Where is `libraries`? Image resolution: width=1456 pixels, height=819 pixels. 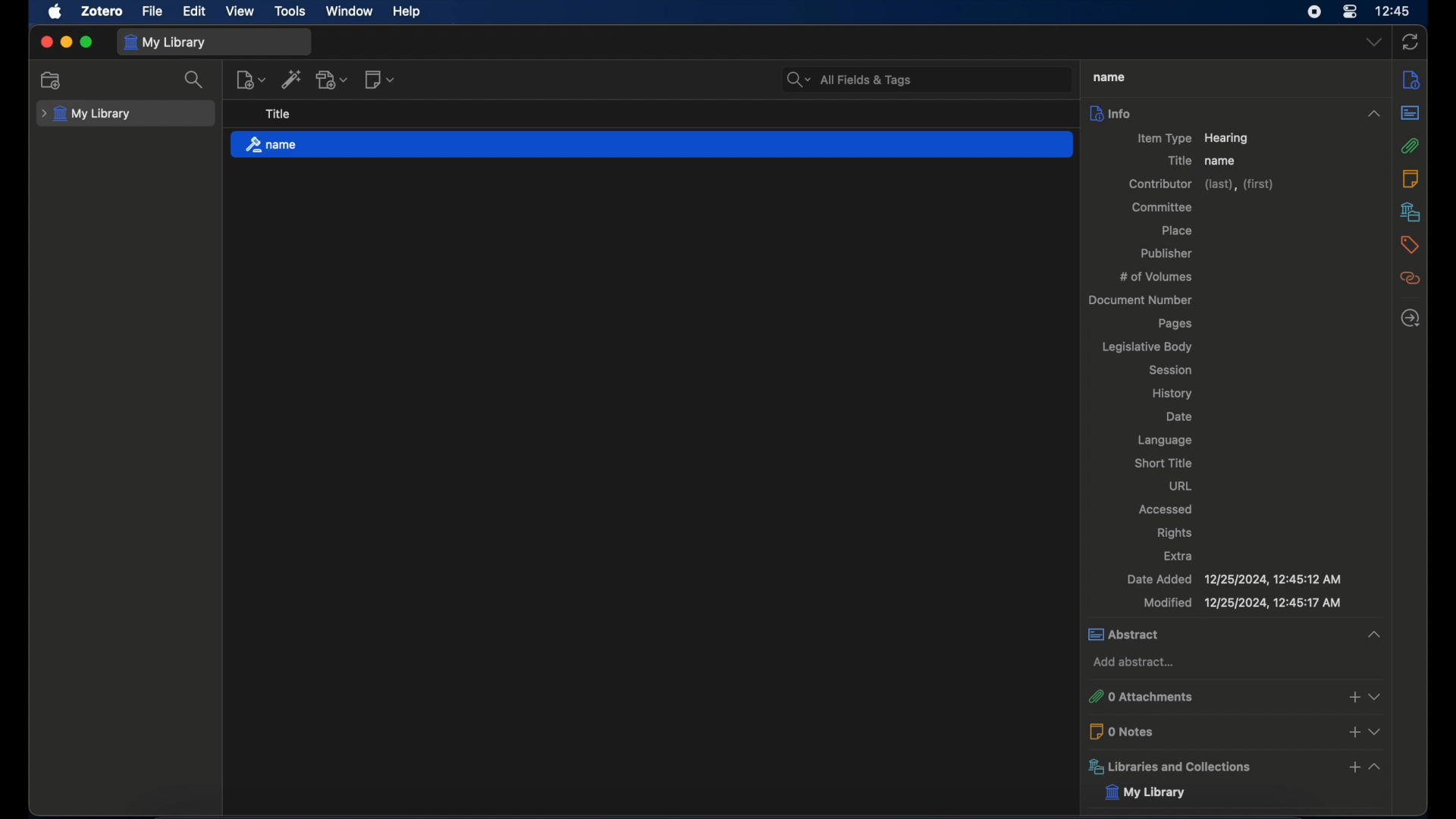
libraries is located at coordinates (1410, 212).